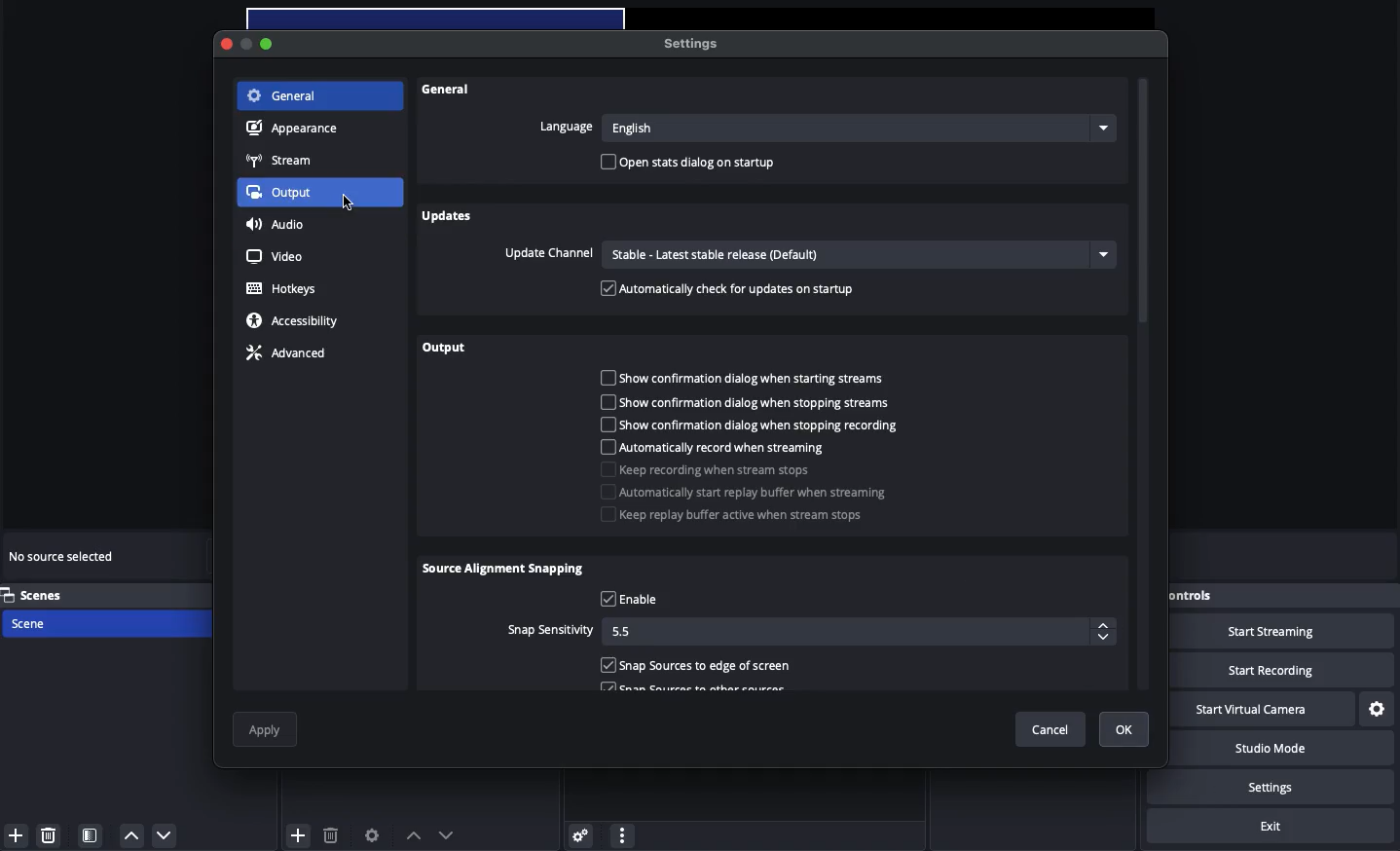 This screenshot has height=851, width=1400. I want to click on Options, so click(622, 832).